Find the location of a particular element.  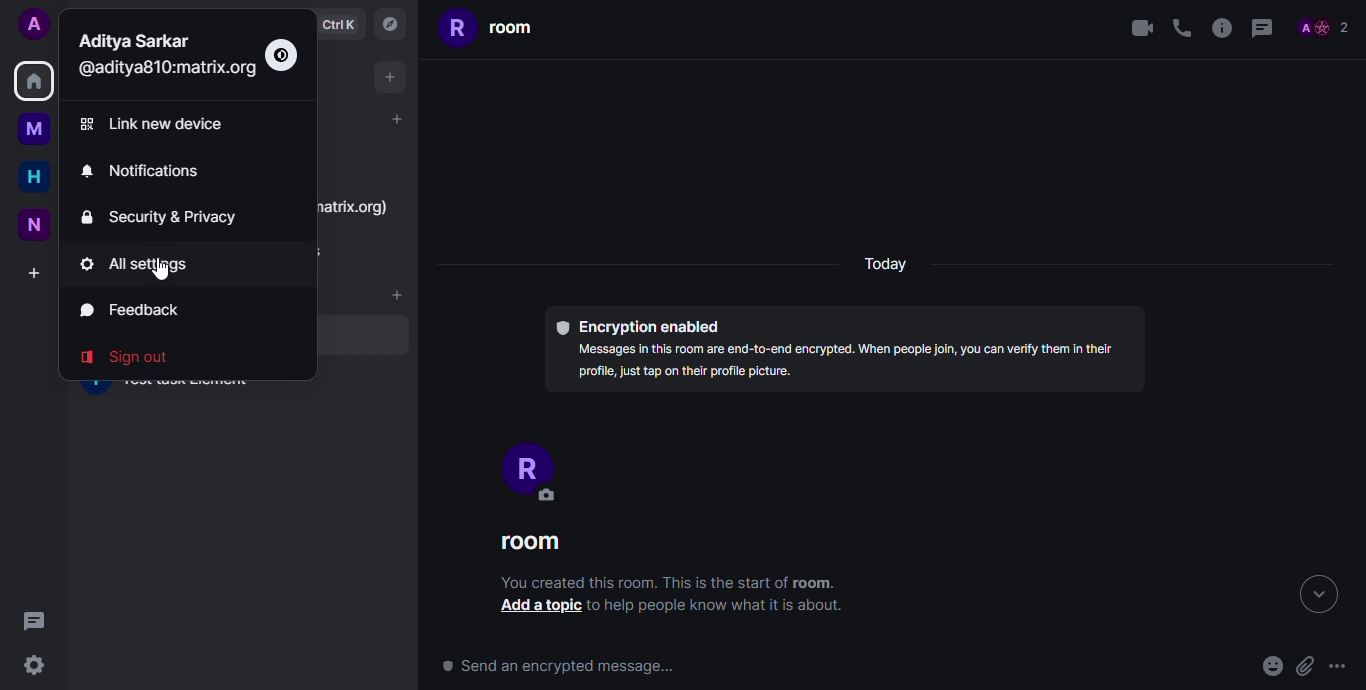

emoji is located at coordinates (1272, 667).